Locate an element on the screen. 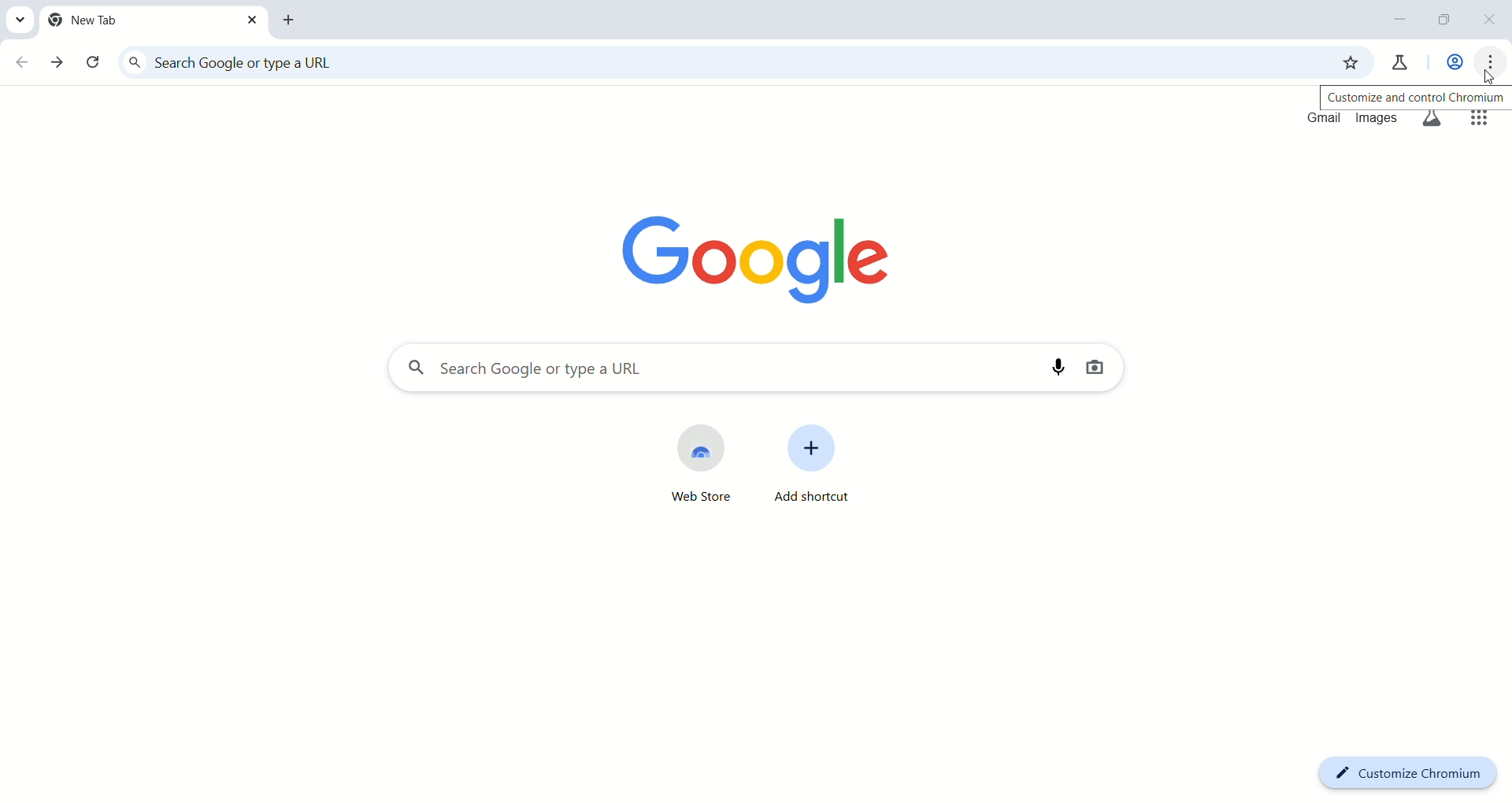  search labs is located at coordinates (1433, 120).